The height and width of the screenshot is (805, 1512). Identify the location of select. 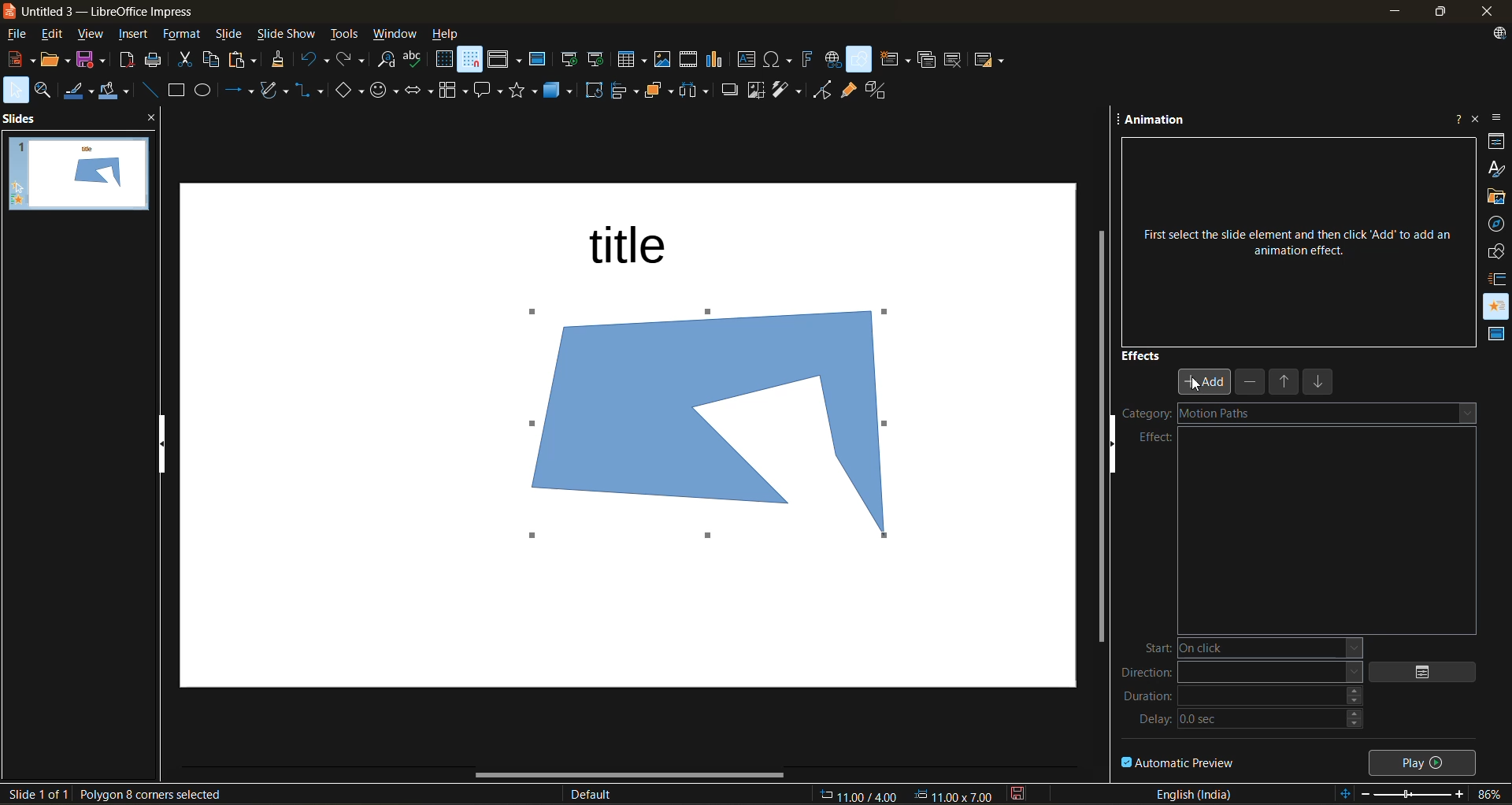
(17, 90).